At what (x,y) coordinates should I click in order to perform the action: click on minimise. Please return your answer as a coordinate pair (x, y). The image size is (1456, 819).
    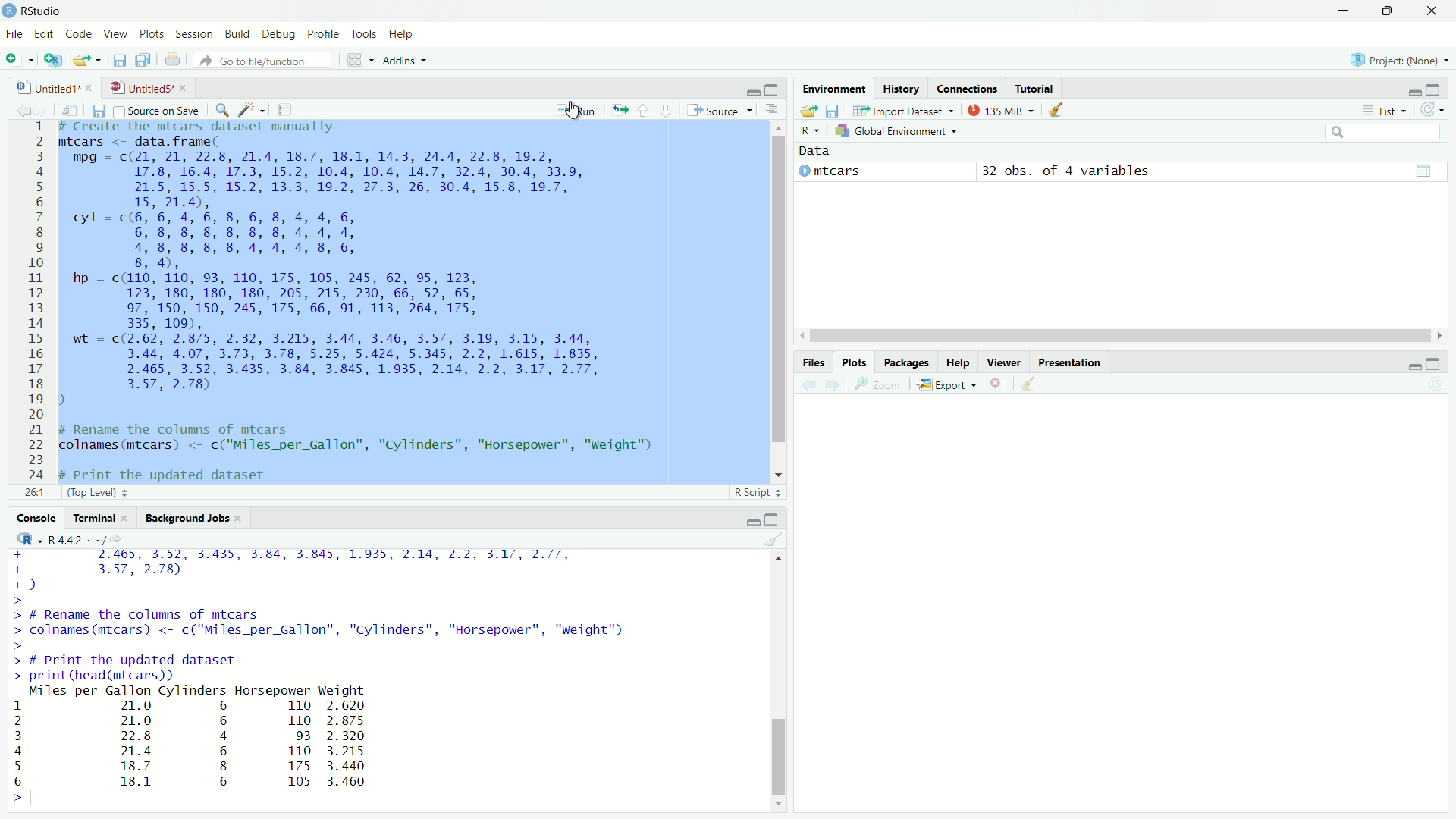
    Looking at the image, I should click on (1342, 13).